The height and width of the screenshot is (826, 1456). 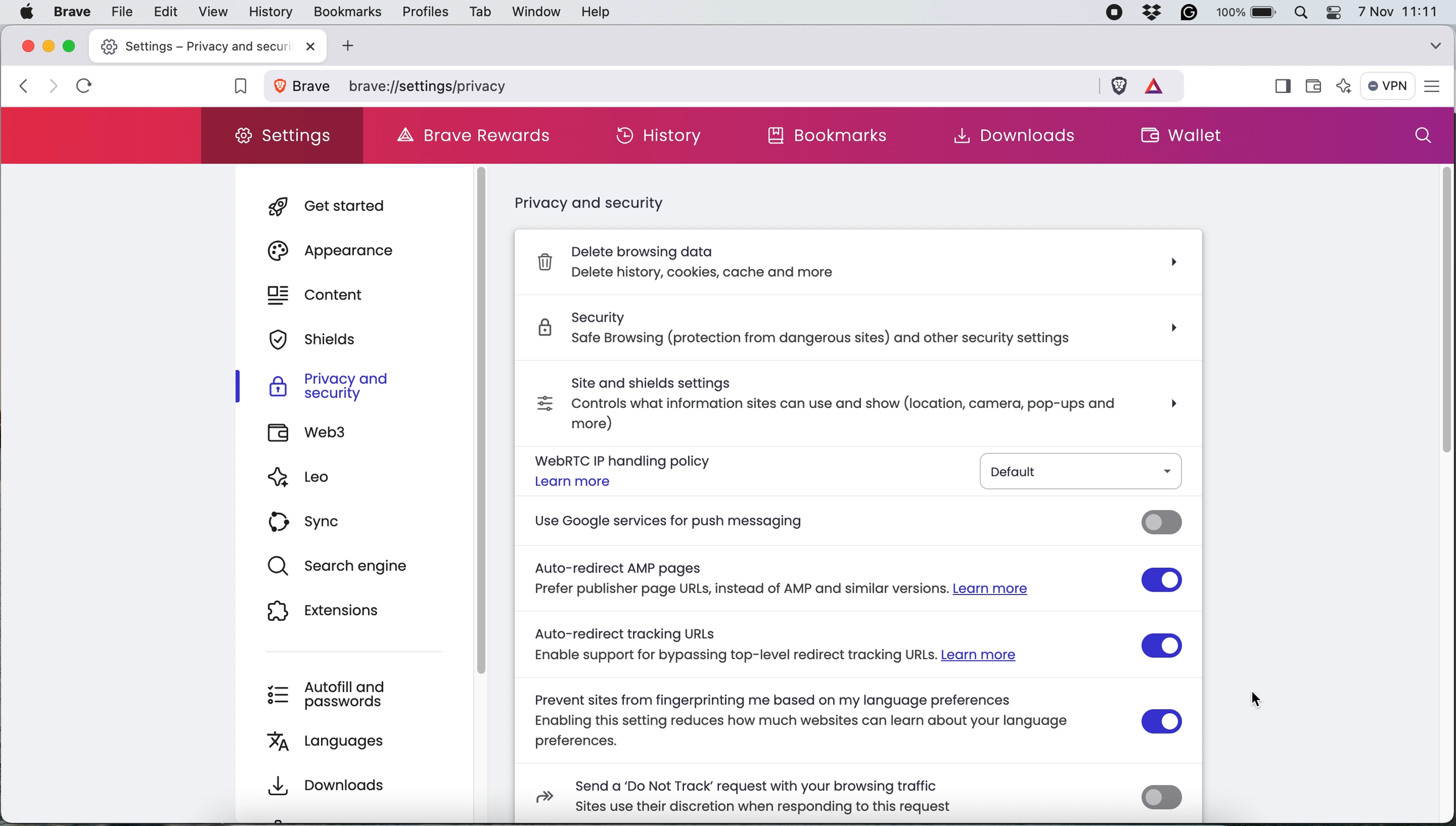 I want to click on prevent learning language preferences toggle switch, so click(x=1163, y=723).